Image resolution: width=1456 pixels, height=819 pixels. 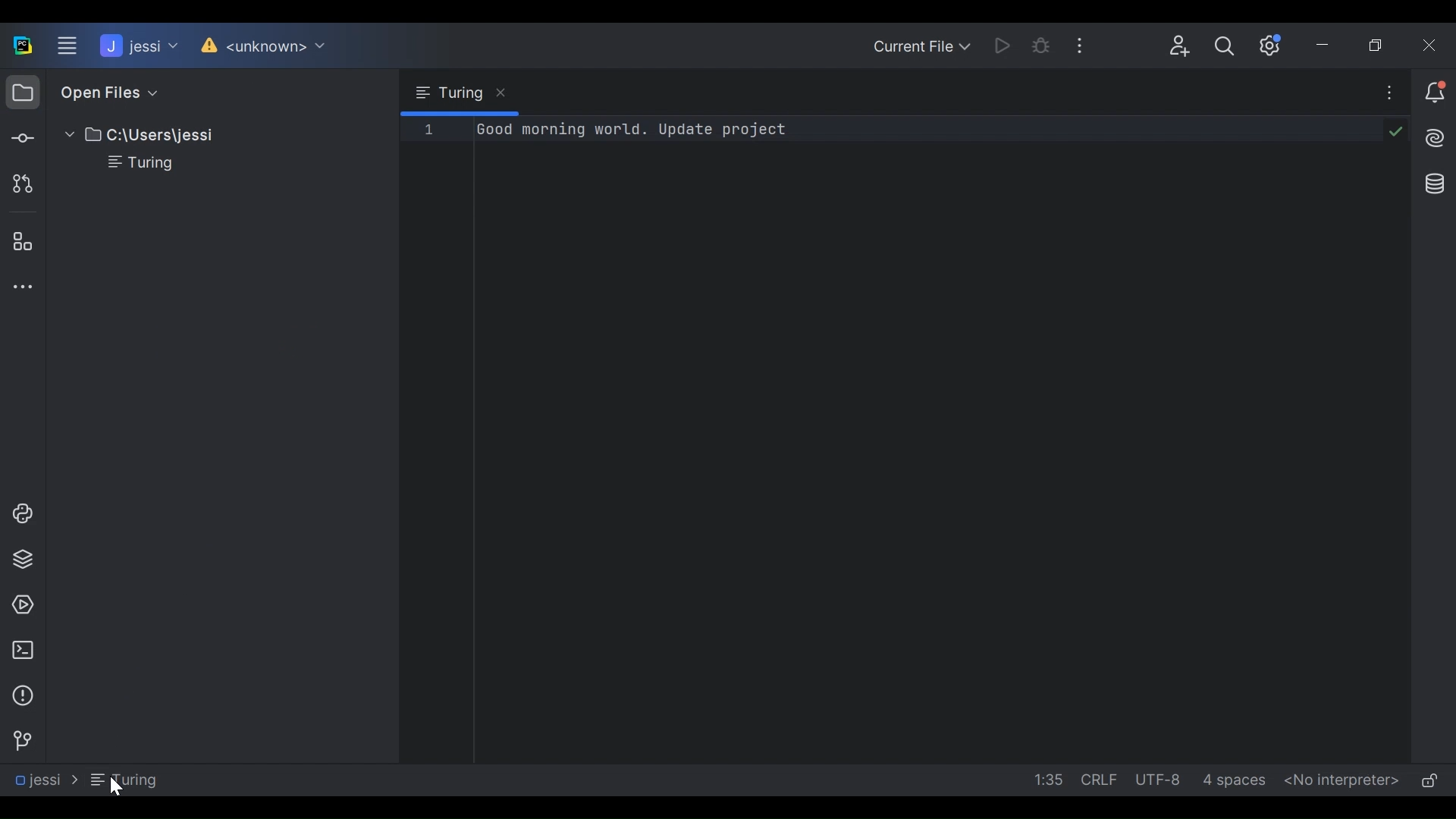 I want to click on Version Control, so click(x=259, y=46).